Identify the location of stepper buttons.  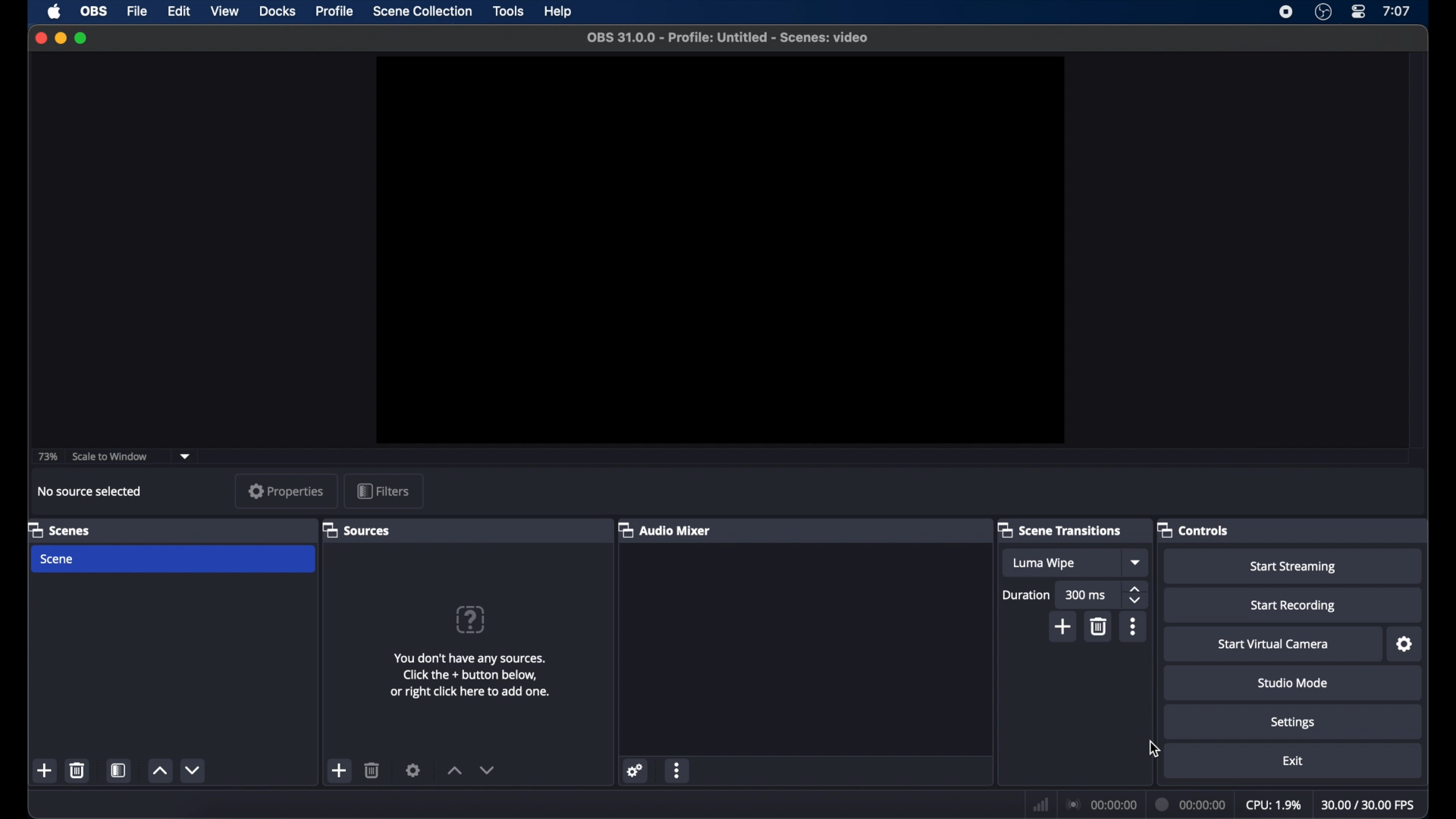
(1137, 595).